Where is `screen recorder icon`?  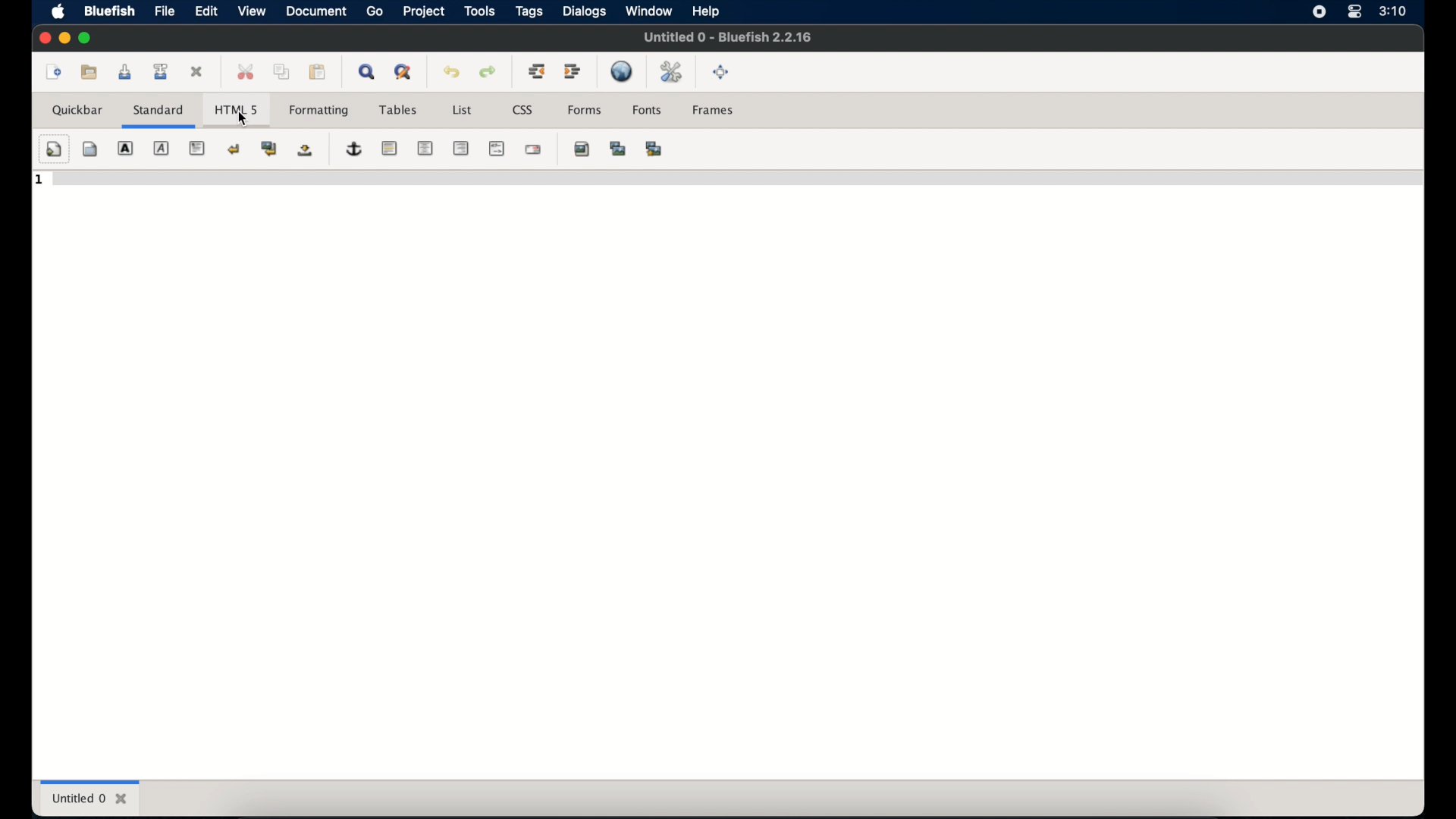
screen recorder icon is located at coordinates (1319, 13).